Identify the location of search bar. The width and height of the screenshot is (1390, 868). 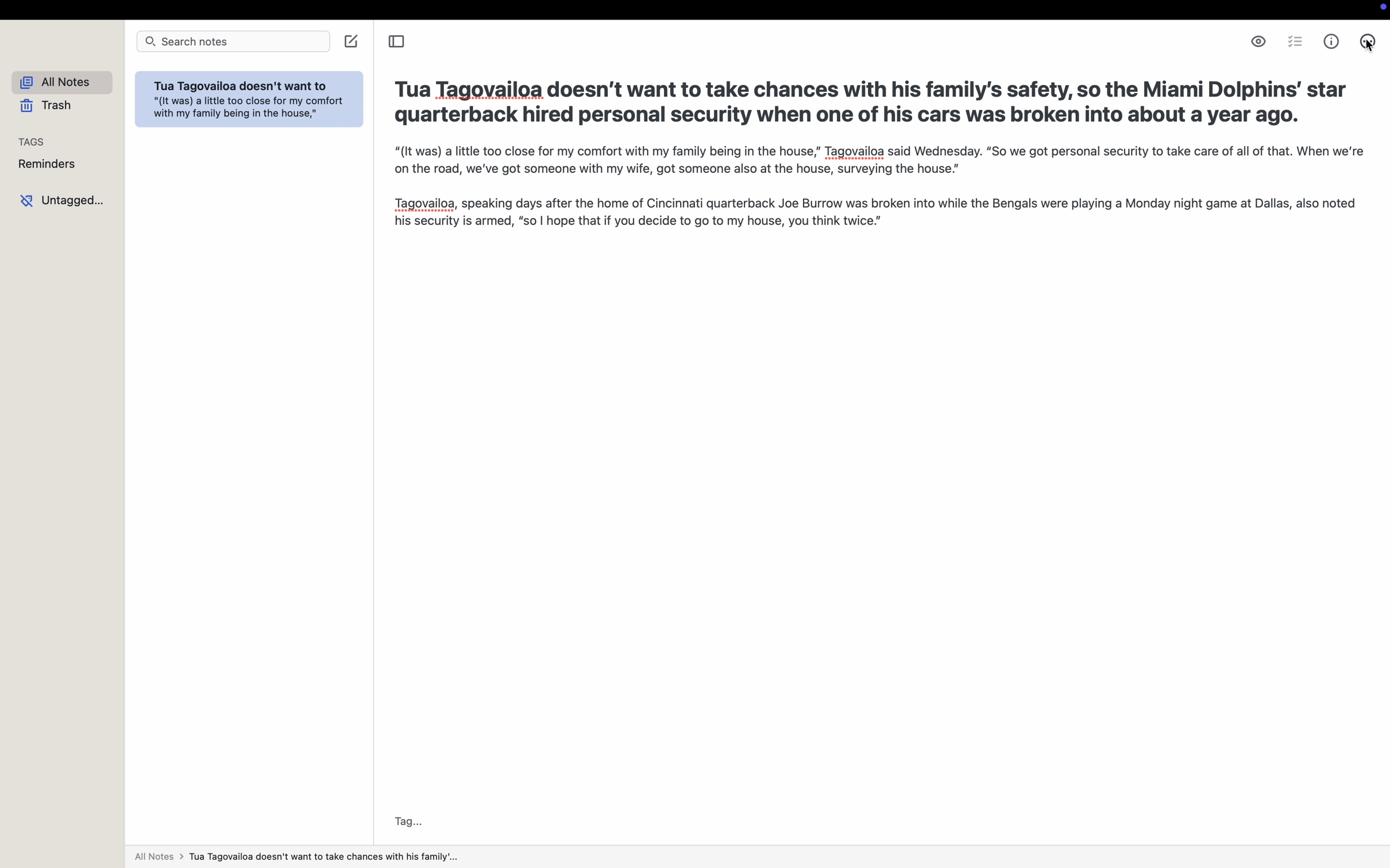
(234, 40).